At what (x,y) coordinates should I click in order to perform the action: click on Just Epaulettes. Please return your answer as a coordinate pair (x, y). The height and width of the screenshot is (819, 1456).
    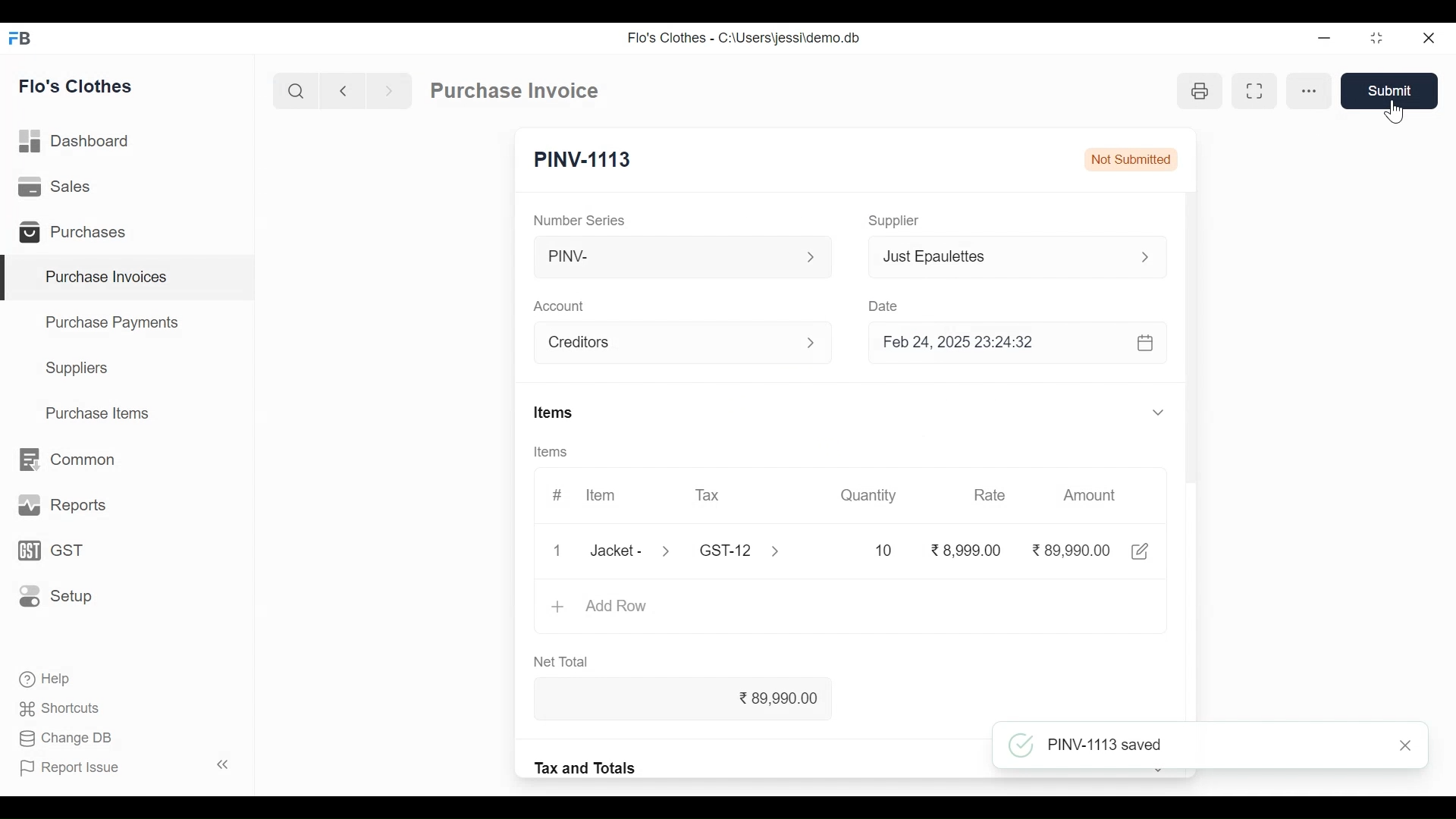
    Looking at the image, I should click on (999, 256).